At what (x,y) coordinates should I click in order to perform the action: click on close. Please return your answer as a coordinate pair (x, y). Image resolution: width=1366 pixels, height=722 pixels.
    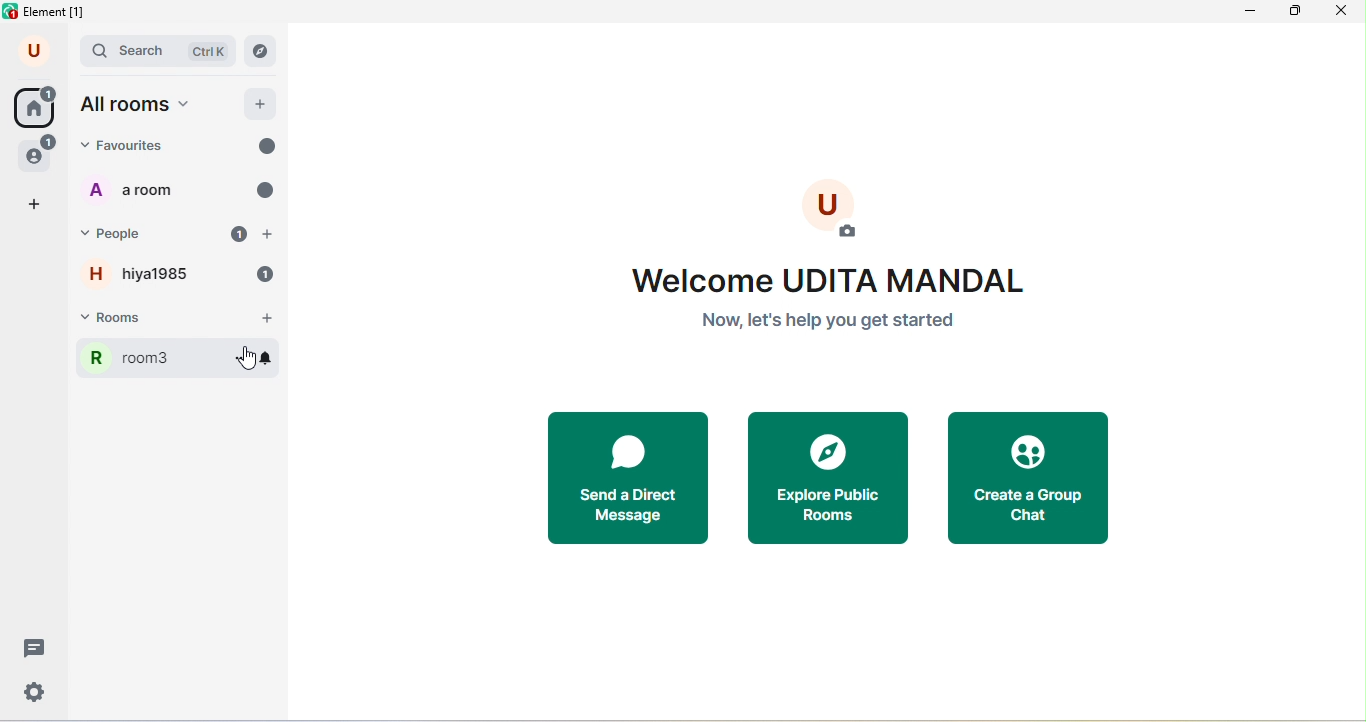
    Looking at the image, I should click on (1346, 13).